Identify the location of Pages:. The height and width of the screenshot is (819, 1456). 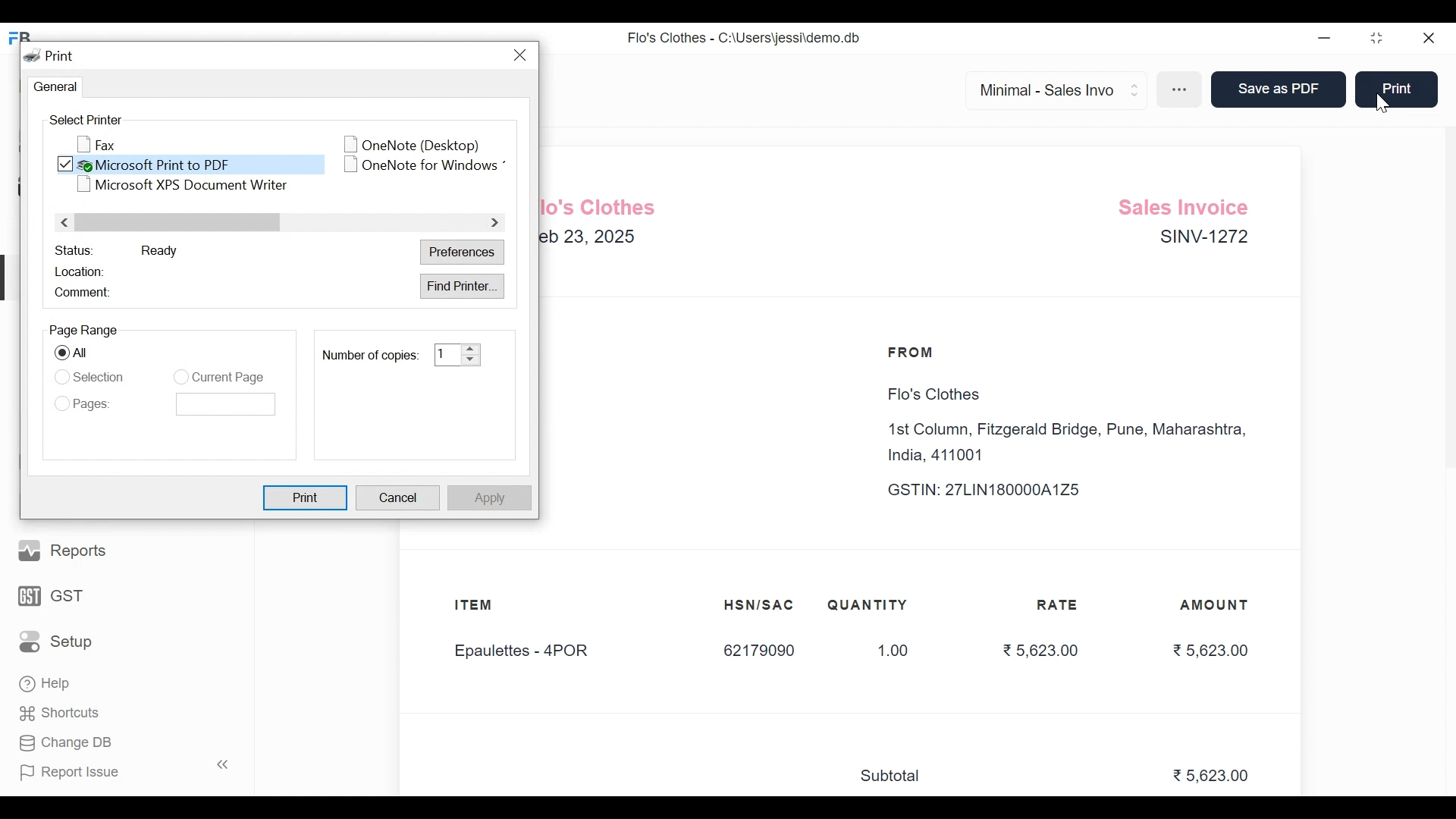
(96, 404).